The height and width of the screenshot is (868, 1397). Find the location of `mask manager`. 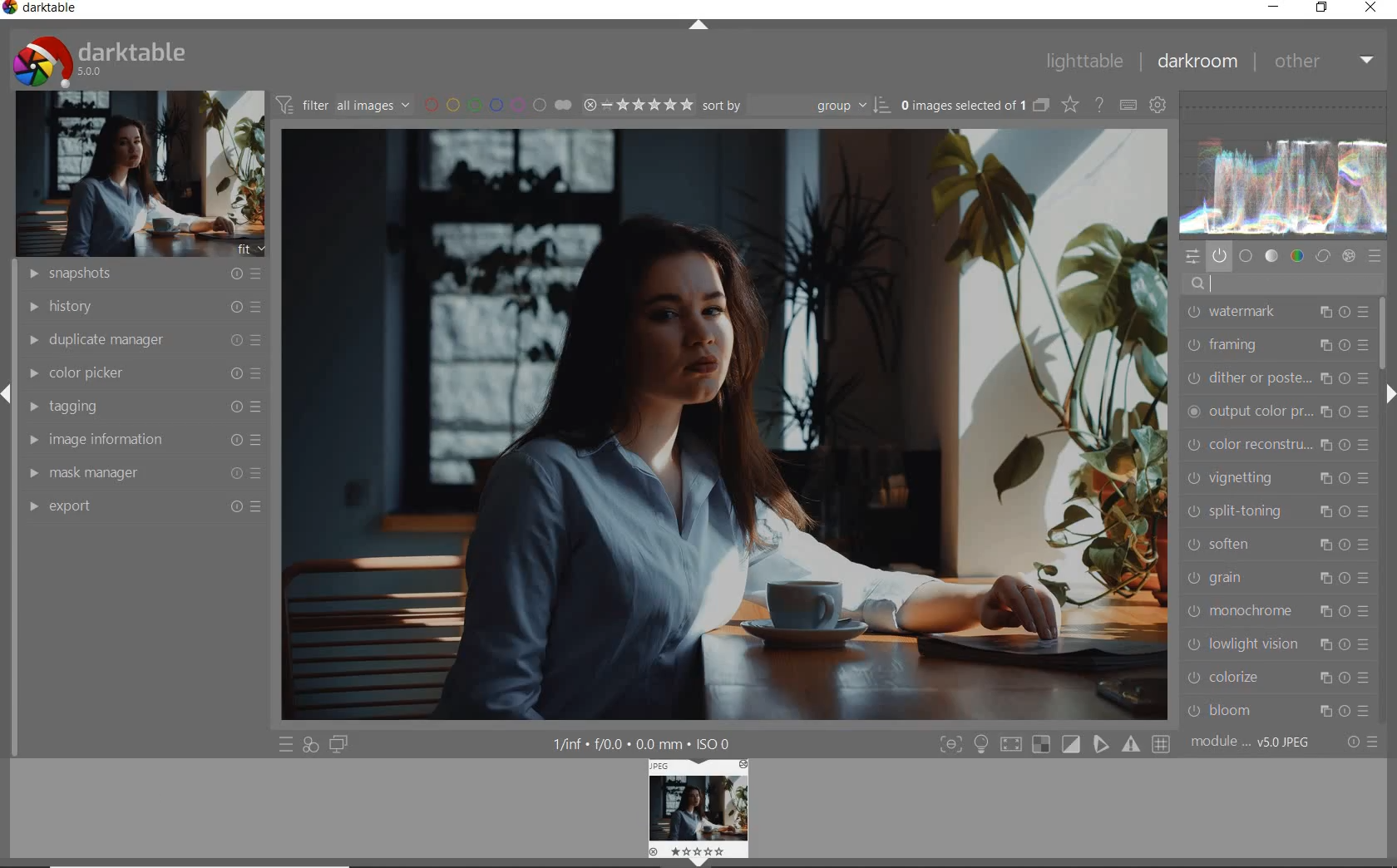

mask manager is located at coordinates (144, 475).